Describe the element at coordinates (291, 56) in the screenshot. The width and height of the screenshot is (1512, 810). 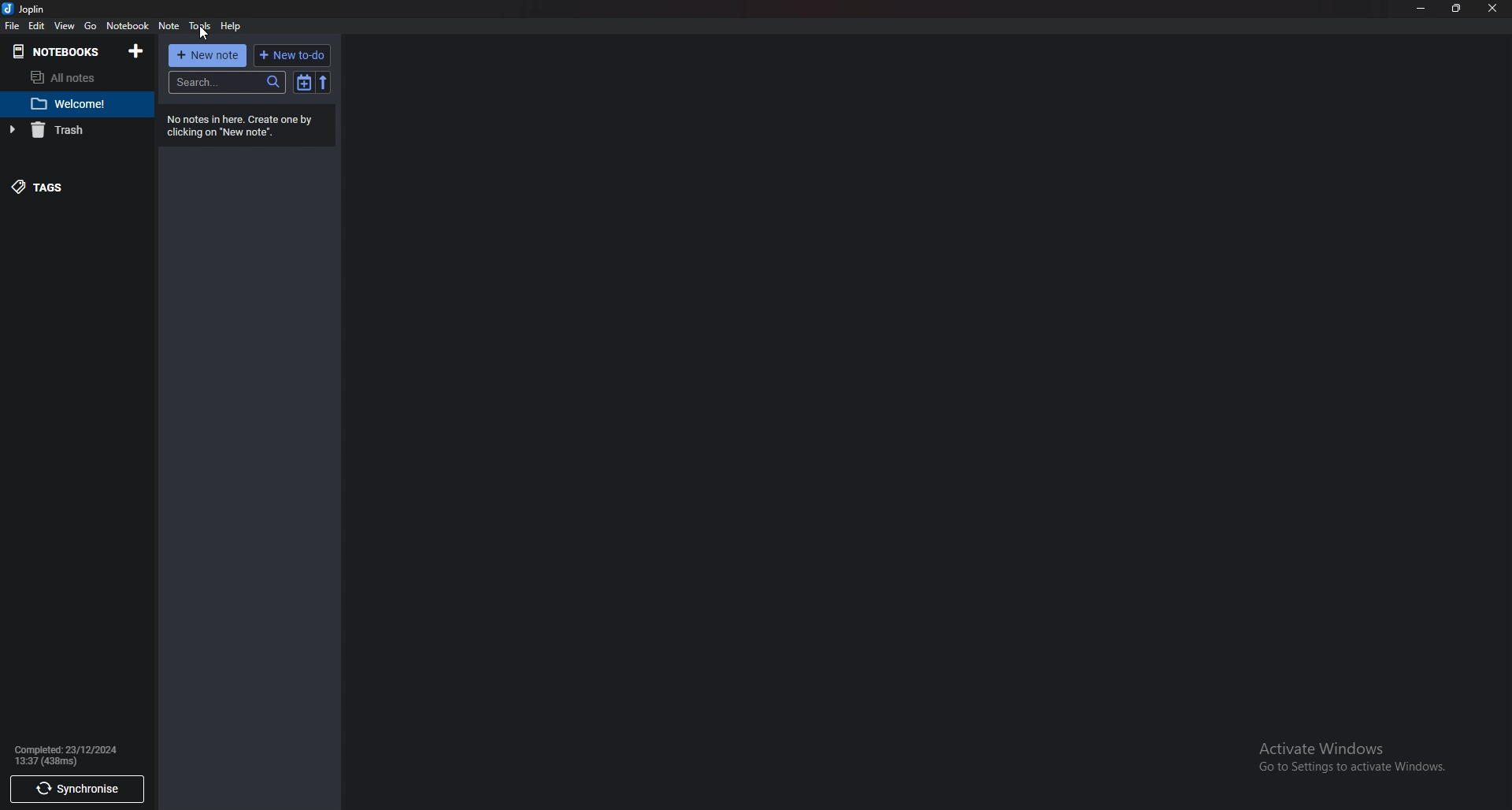
I see `New to do` at that location.